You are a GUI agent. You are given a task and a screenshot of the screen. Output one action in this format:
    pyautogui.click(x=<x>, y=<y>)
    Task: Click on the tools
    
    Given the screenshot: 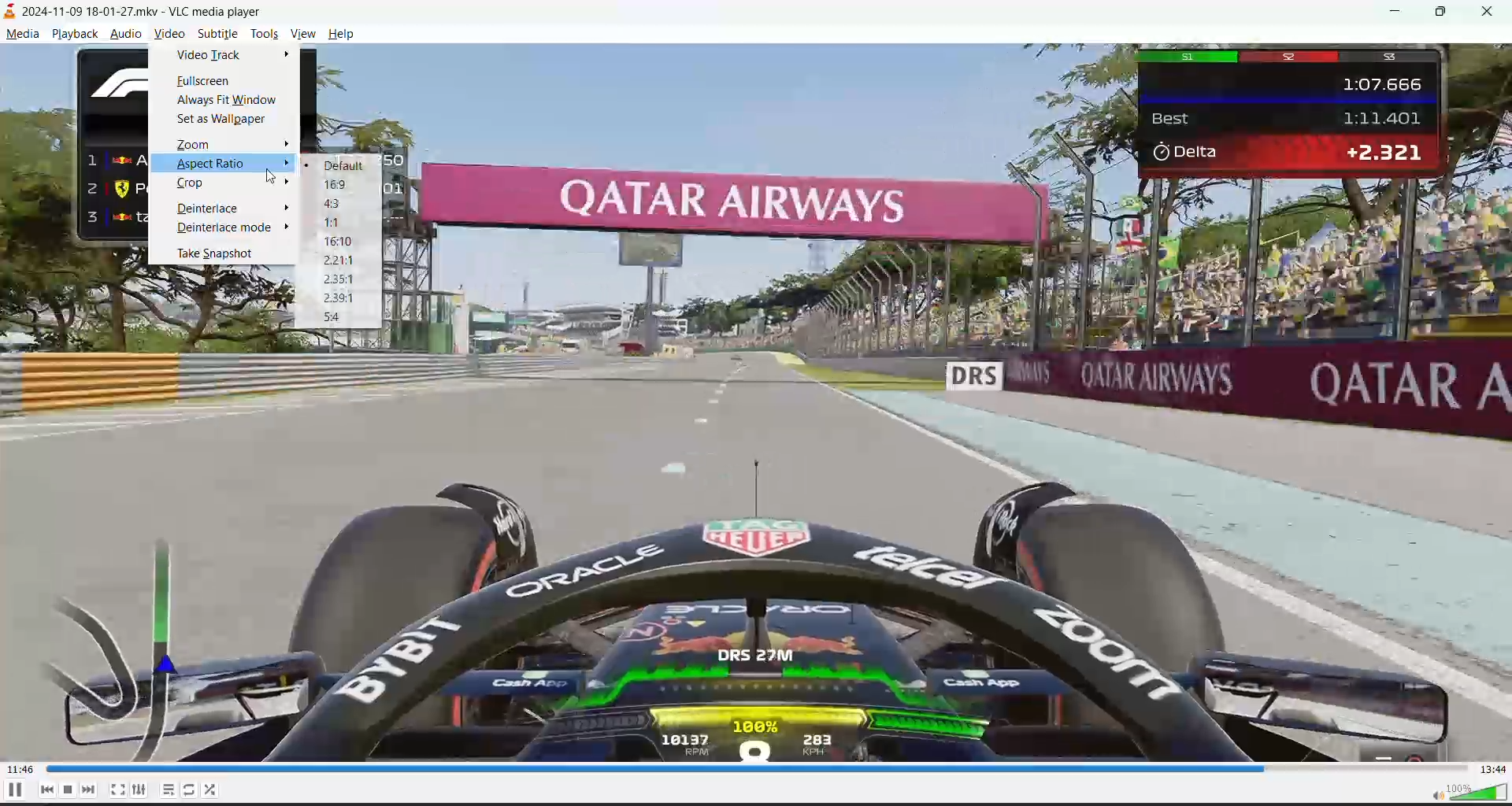 What is the action you would take?
    pyautogui.click(x=263, y=34)
    